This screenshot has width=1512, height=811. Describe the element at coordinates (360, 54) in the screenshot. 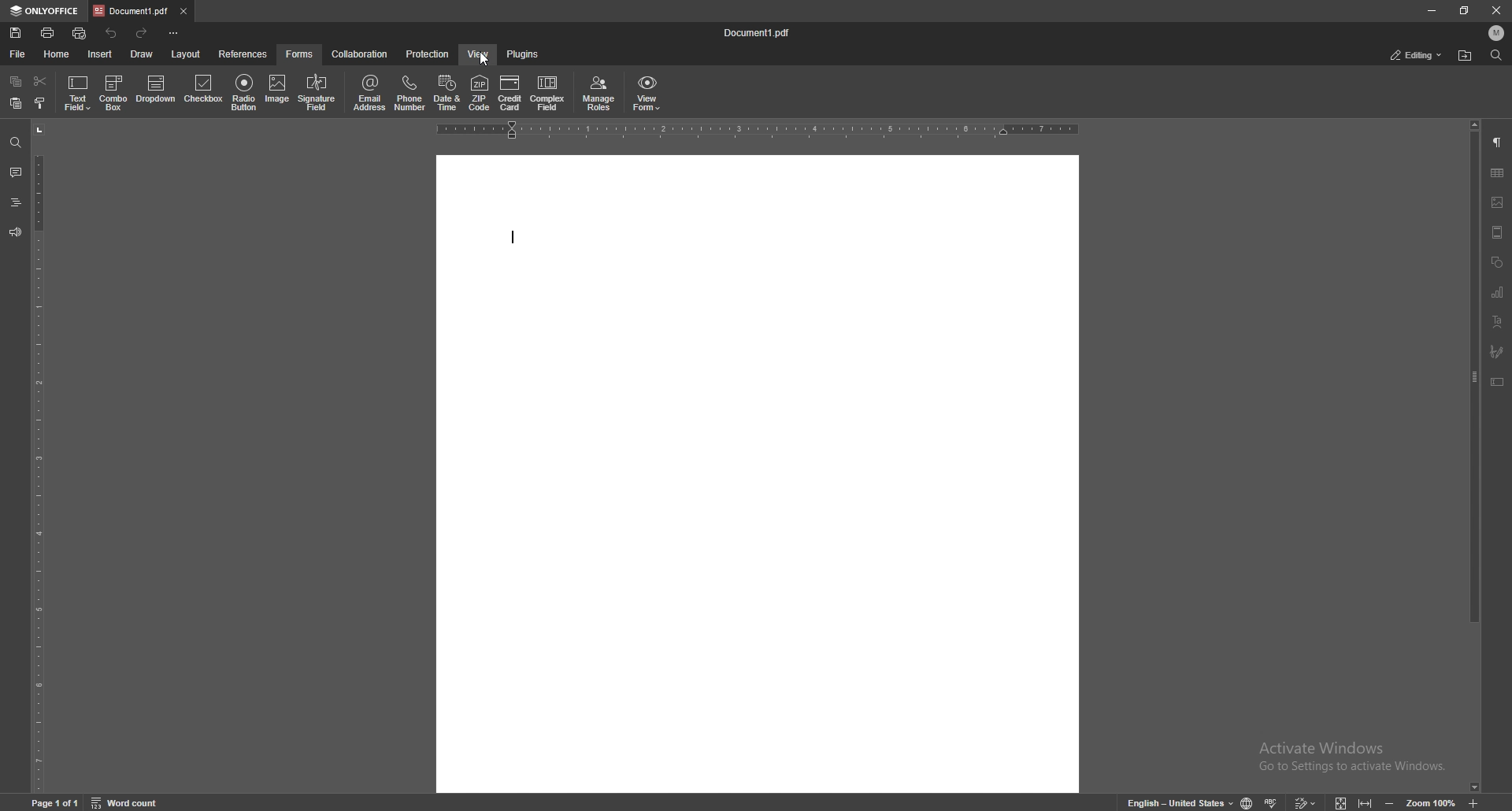

I see `collaboration` at that location.